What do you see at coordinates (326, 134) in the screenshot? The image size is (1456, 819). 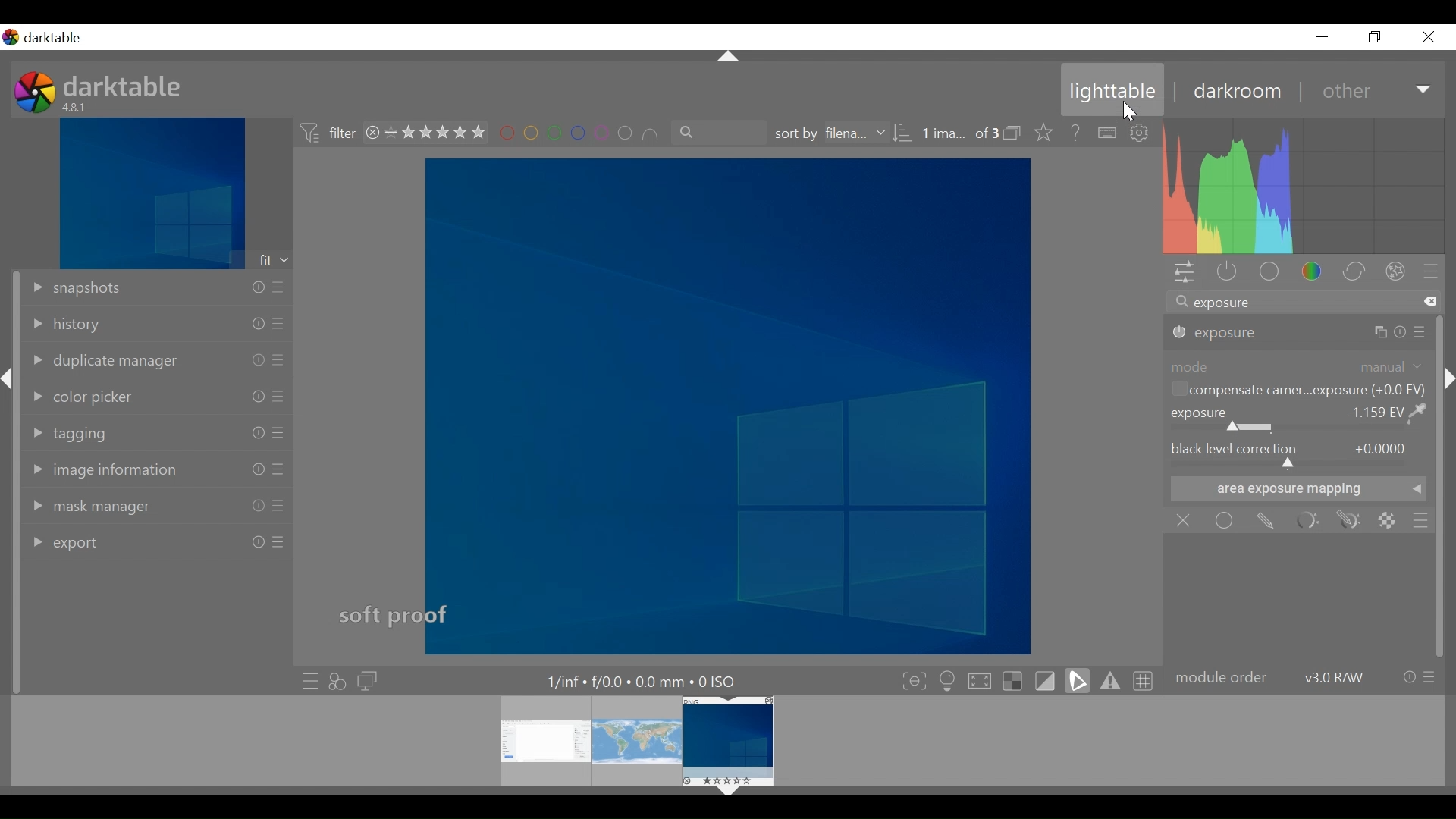 I see `filter` at bounding box center [326, 134].